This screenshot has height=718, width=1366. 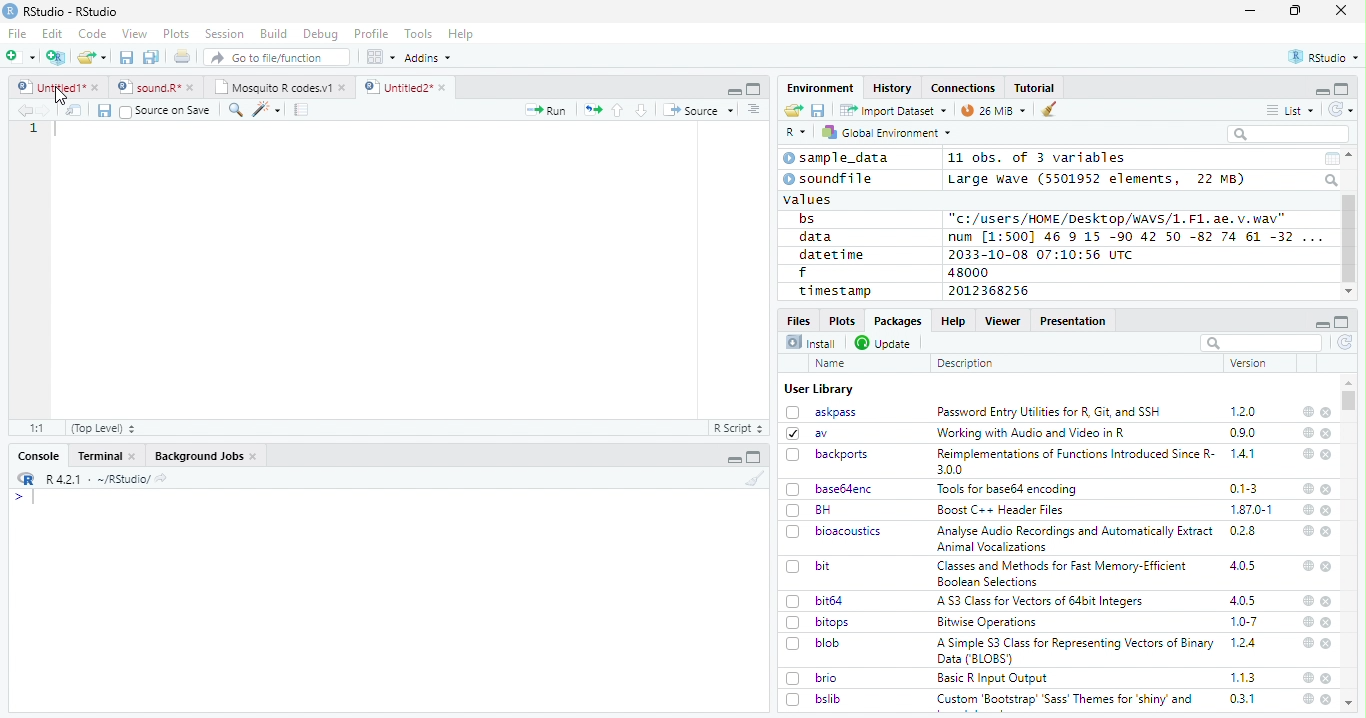 What do you see at coordinates (279, 87) in the screenshot?
I see `Mosquito R codes.v1` at bounding box center [279, 87].